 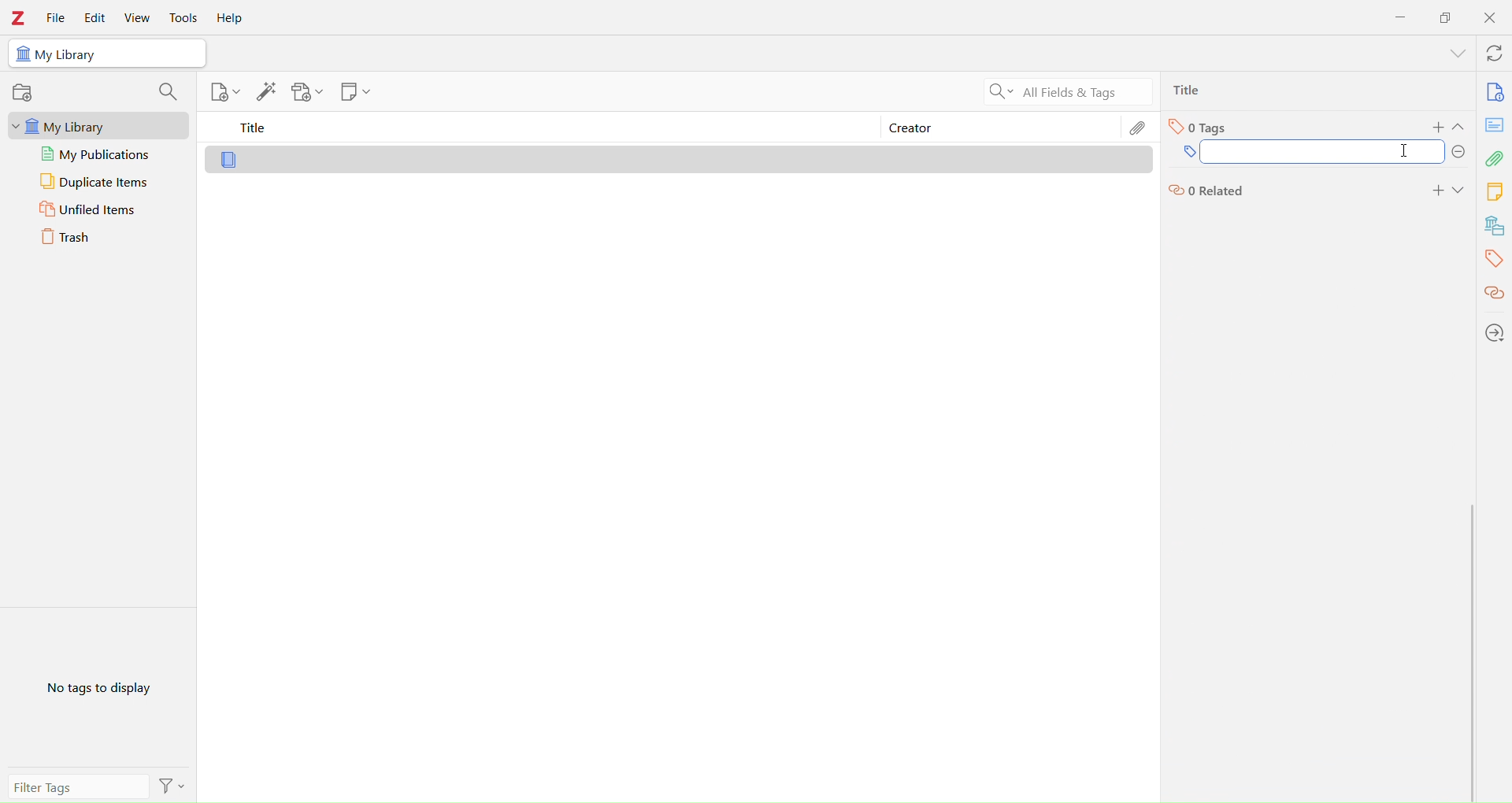 What do you see at coordinates (107, 54) in the screenshot?
I see `My Library` at bounding box center [107, 54].